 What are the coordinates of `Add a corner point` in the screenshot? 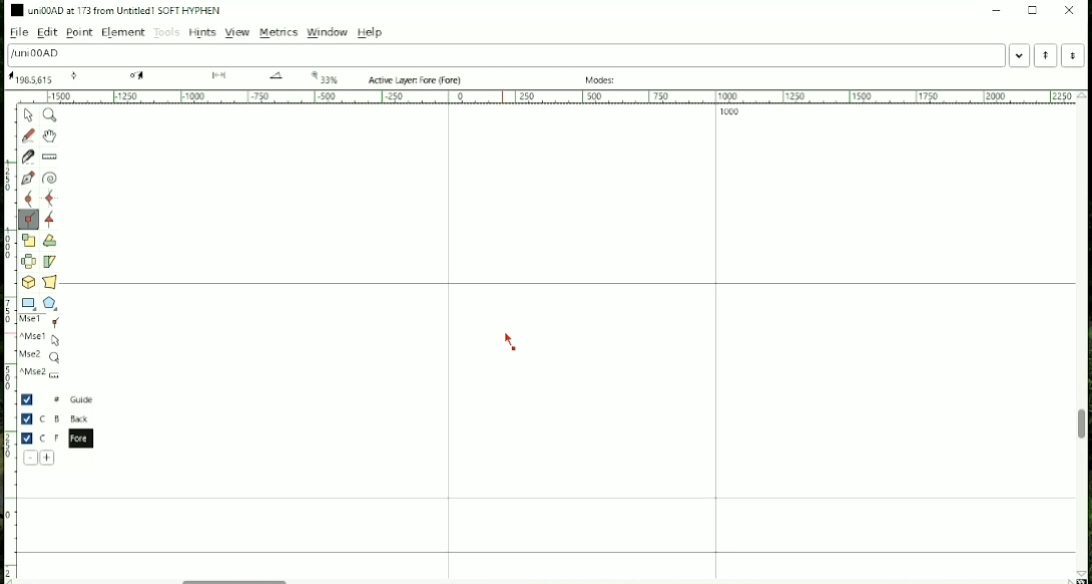 It's located at (28, 220).